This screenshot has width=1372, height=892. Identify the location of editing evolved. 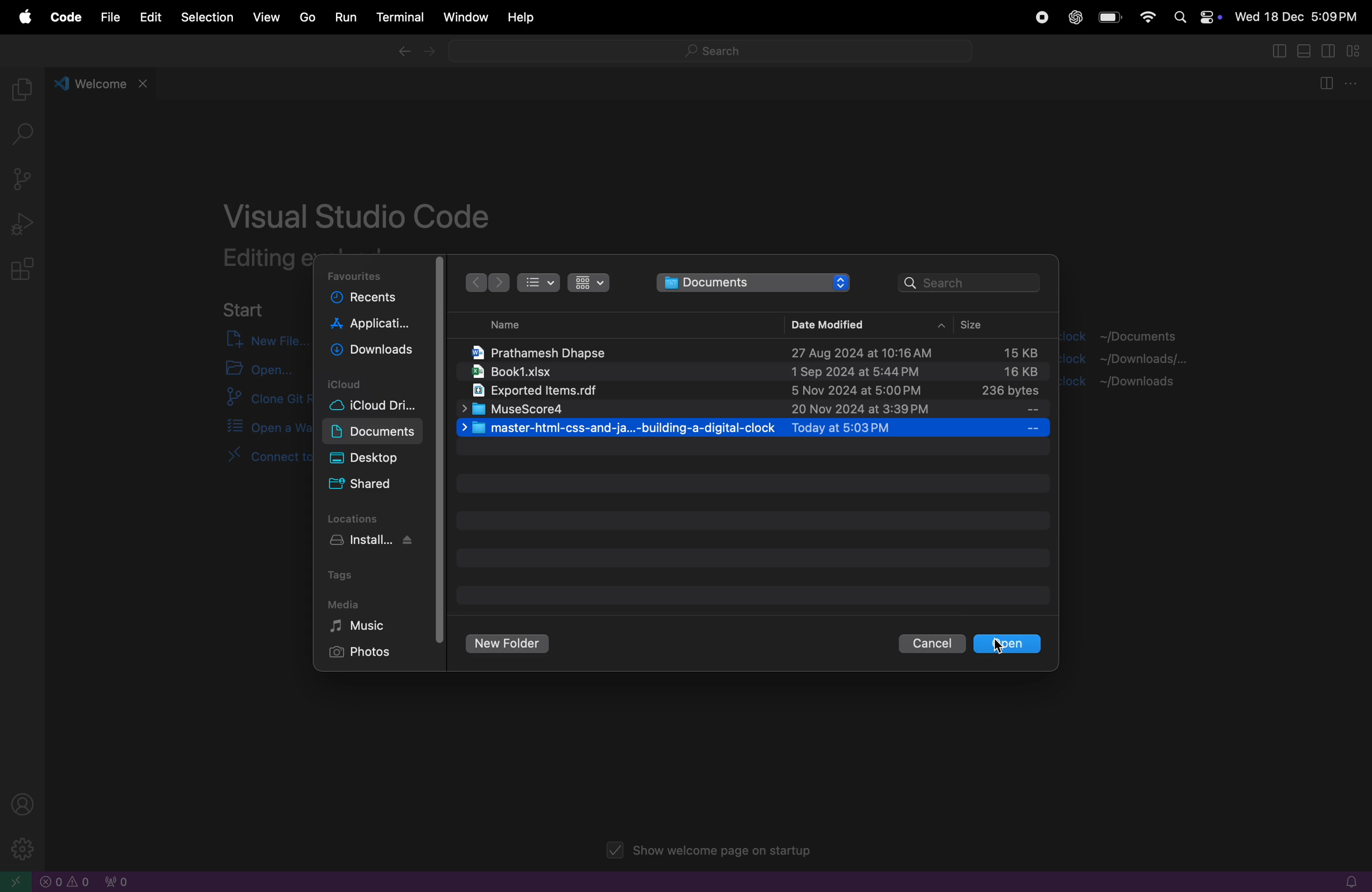
(265, 258).